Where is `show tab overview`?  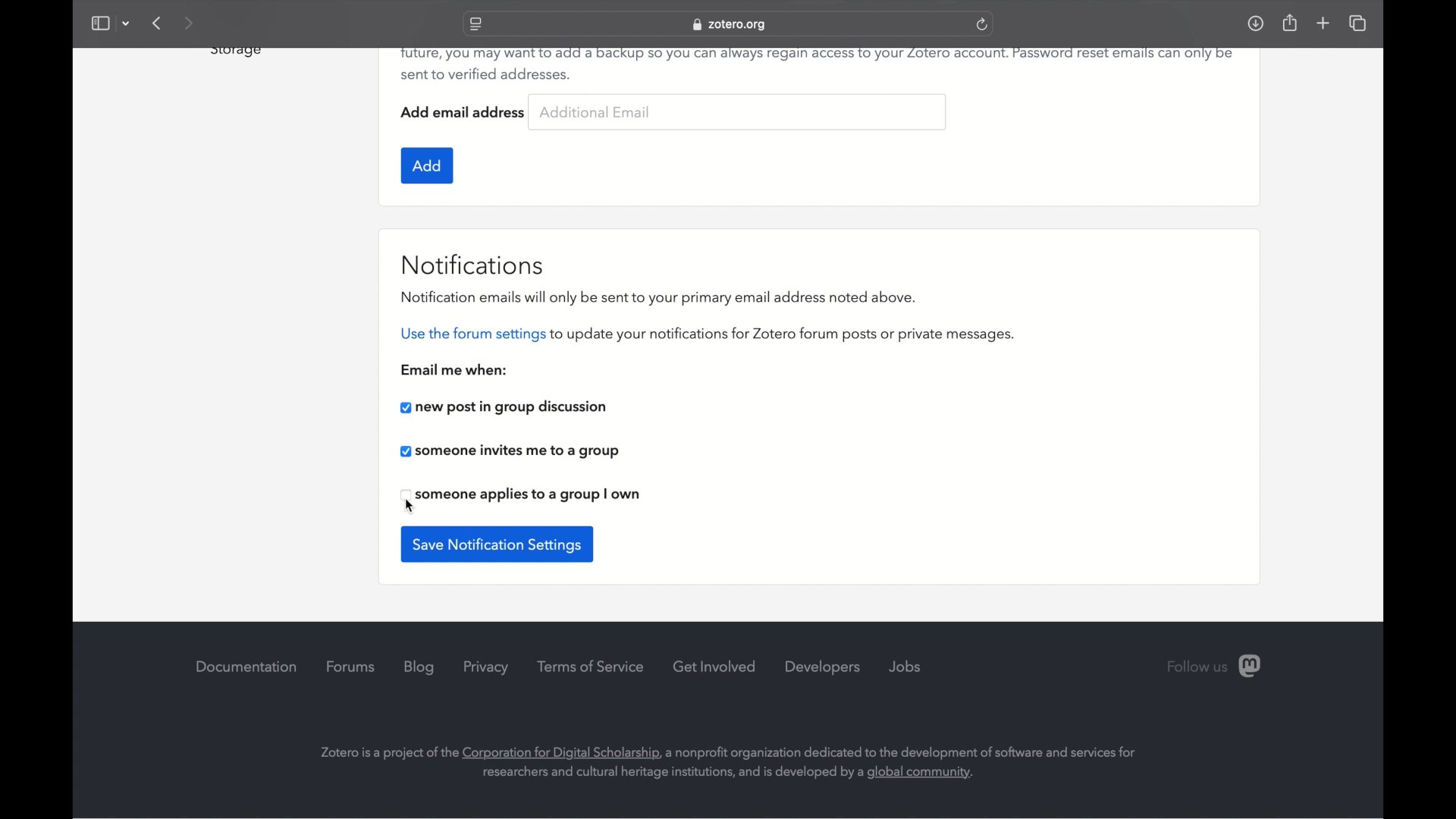
show tab overview is located at coordinates (1359, 24).